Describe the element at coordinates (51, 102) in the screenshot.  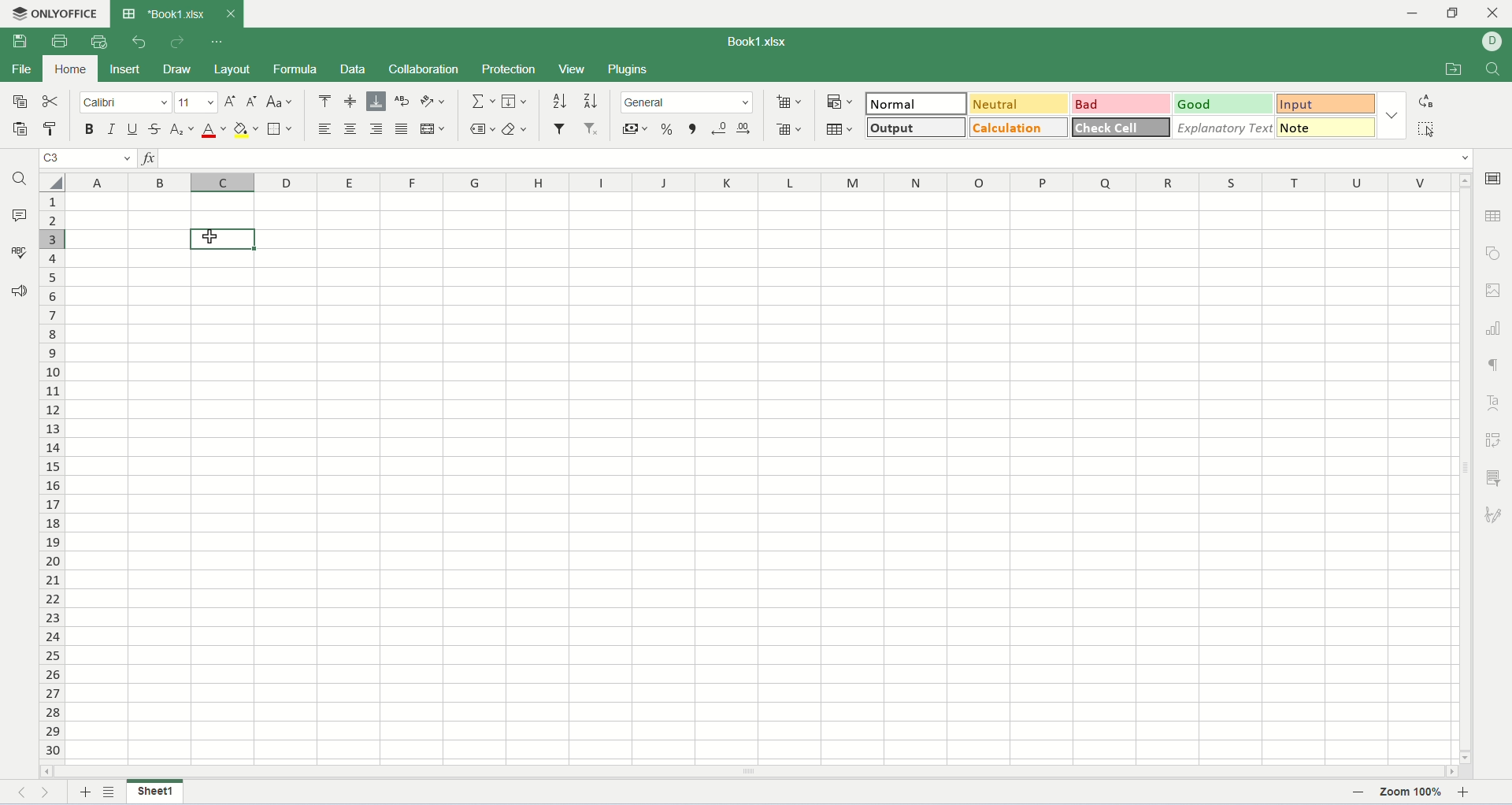
I see `cut` at that location.